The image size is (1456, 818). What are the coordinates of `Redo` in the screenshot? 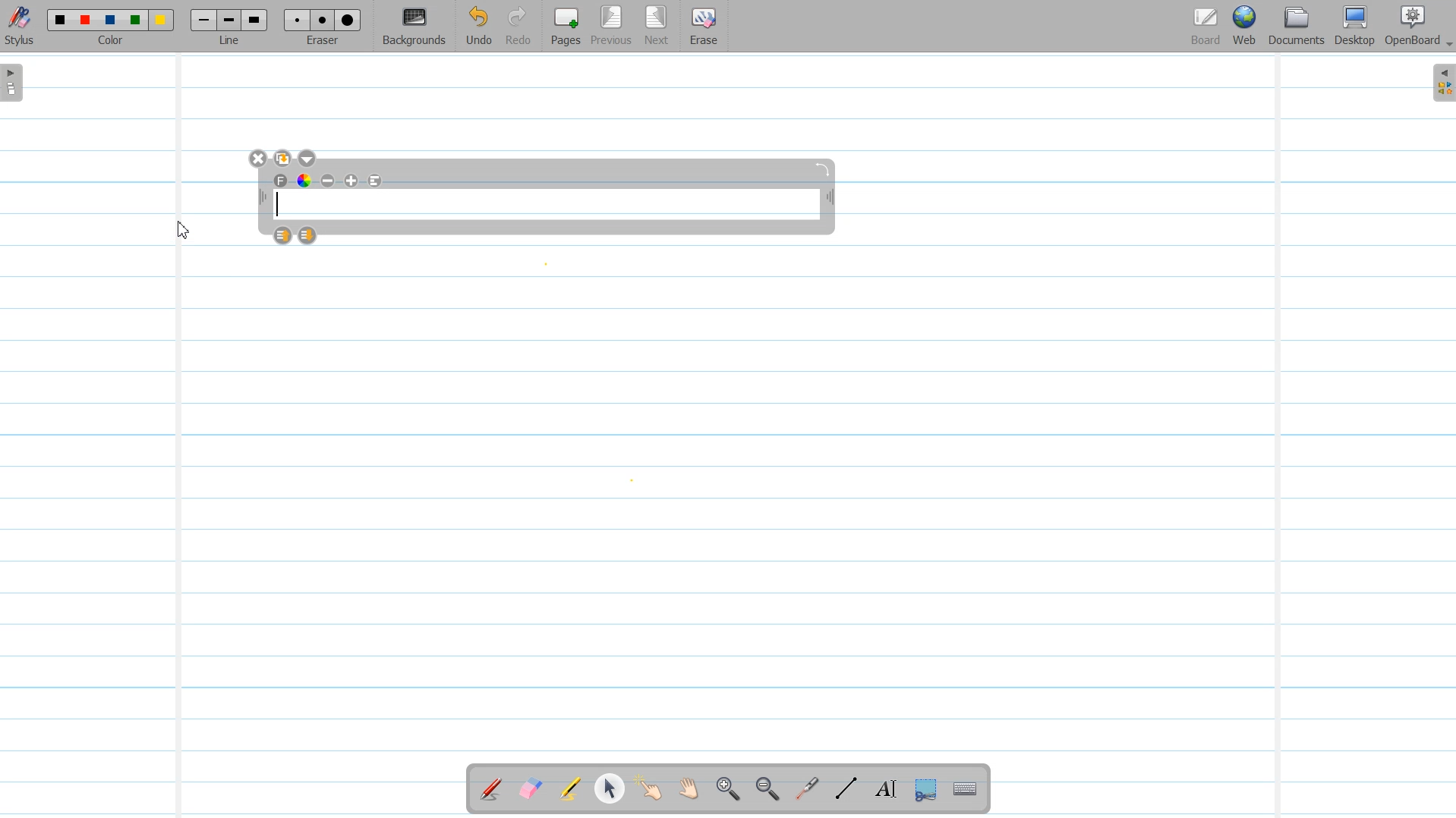 It's located at (518, 27).